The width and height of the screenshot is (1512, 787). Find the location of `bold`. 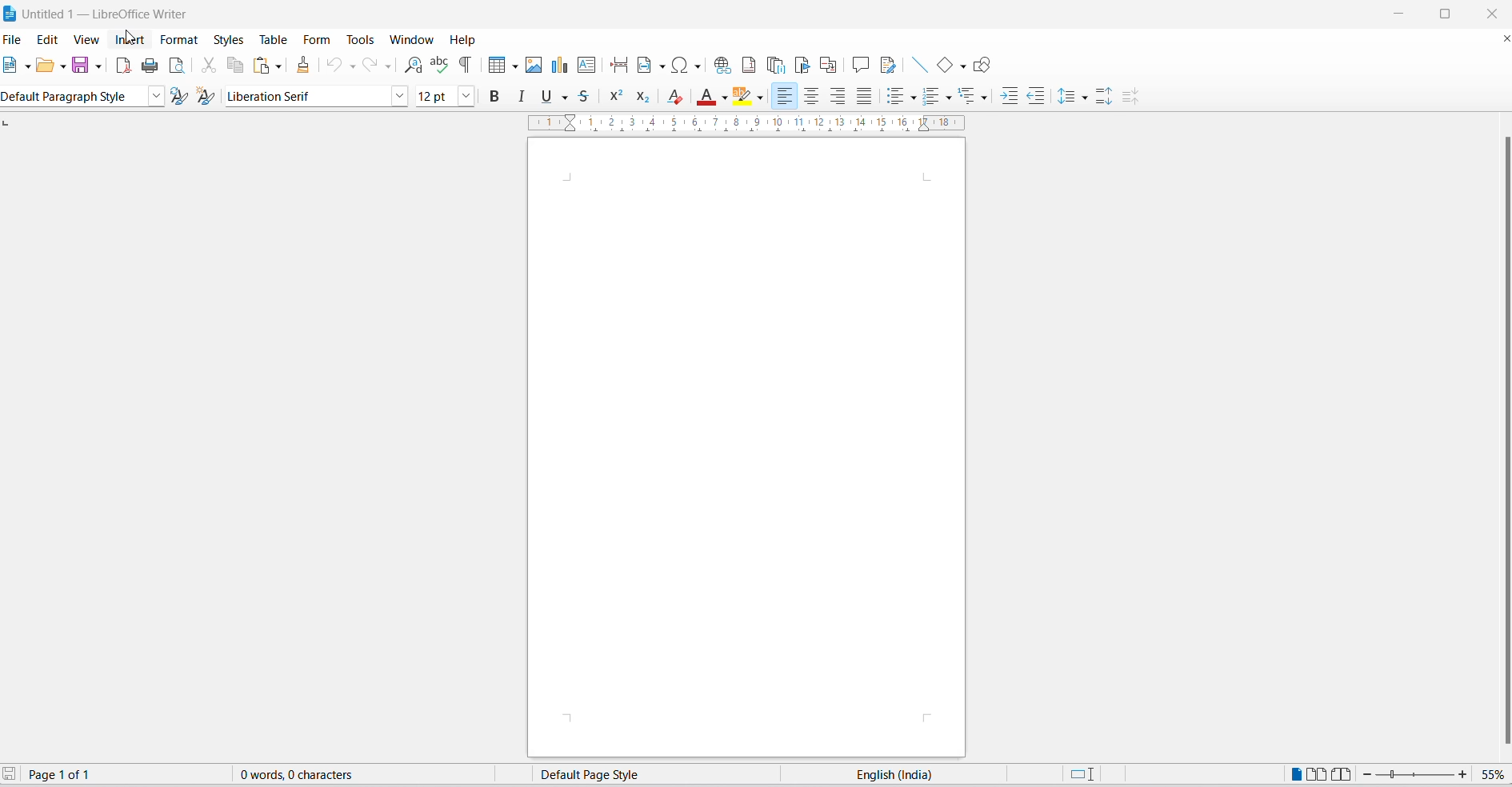

bold is located at coordinates (494, 95).